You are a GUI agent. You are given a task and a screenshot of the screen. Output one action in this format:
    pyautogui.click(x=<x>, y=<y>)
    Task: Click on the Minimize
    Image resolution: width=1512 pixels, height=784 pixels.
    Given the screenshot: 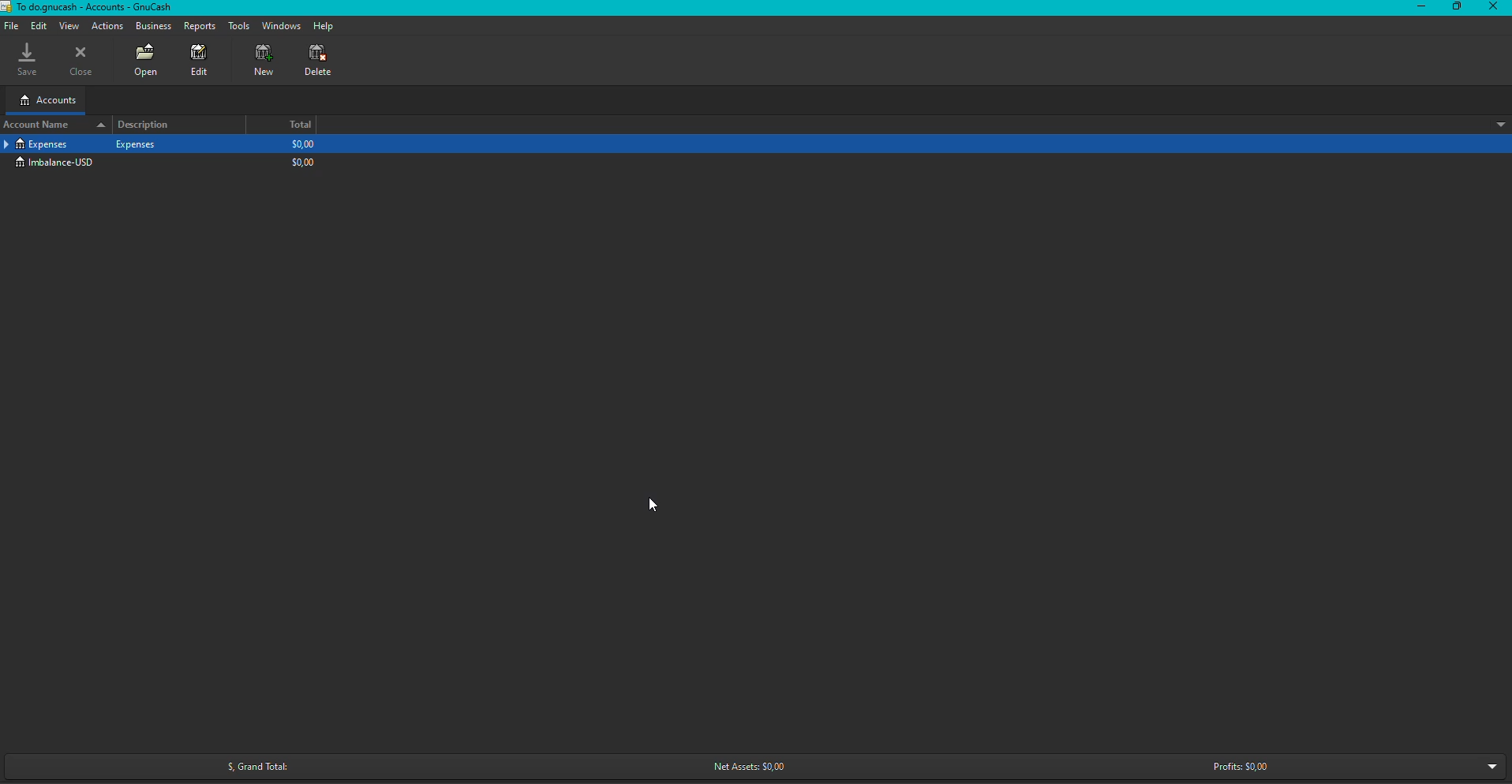 What is the action you would take?
    pyautogui.click(x=1417, y=8)
    